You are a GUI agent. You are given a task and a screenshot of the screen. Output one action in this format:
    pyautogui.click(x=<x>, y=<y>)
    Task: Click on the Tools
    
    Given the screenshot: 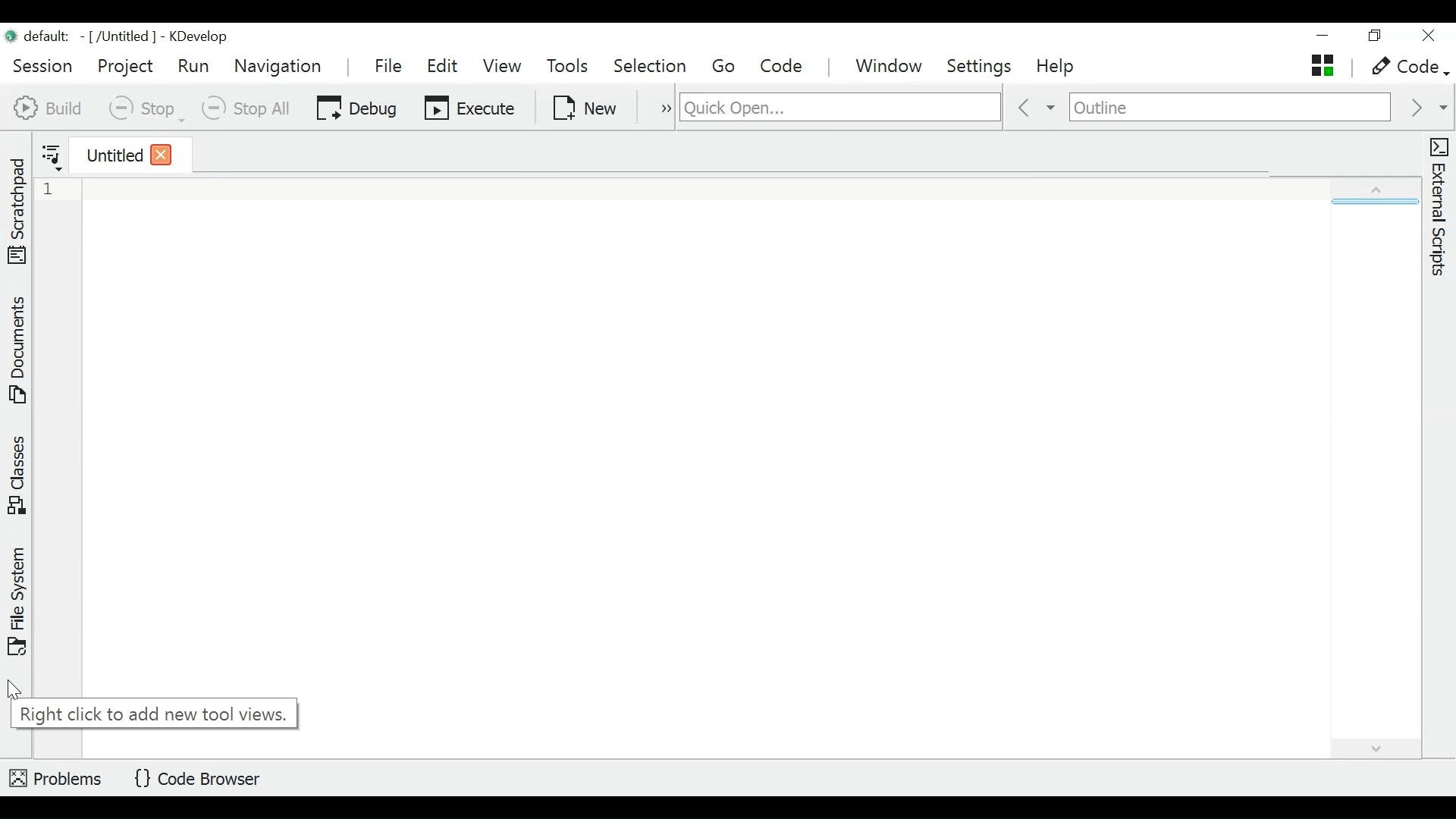 What is the action you would take?
    pyautogui.click(x=566, y=67)
    